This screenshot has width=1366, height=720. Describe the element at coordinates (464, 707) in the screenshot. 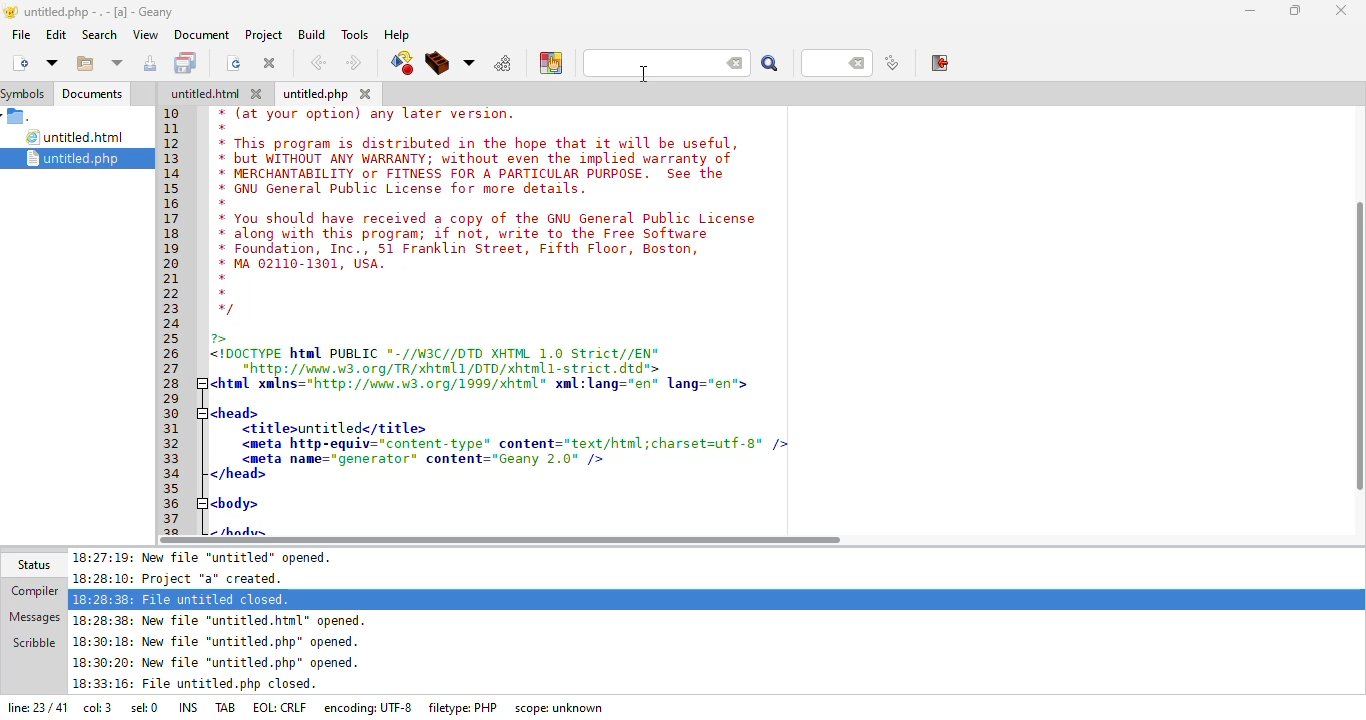

I see `filetype: php` at that location.